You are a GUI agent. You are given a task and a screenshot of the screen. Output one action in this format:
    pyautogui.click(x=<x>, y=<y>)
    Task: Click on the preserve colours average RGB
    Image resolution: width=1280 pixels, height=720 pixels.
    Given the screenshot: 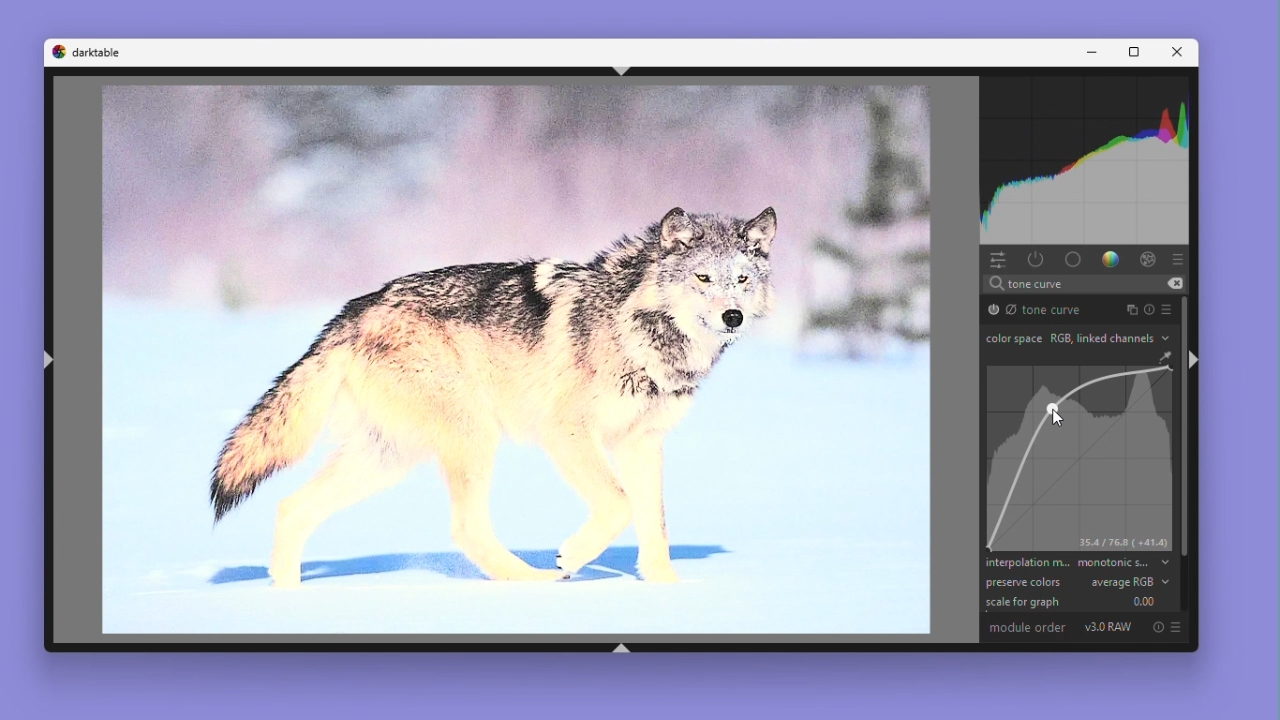 What is the action you would take?
    pyautogui.click(x=1076, y=582)
    